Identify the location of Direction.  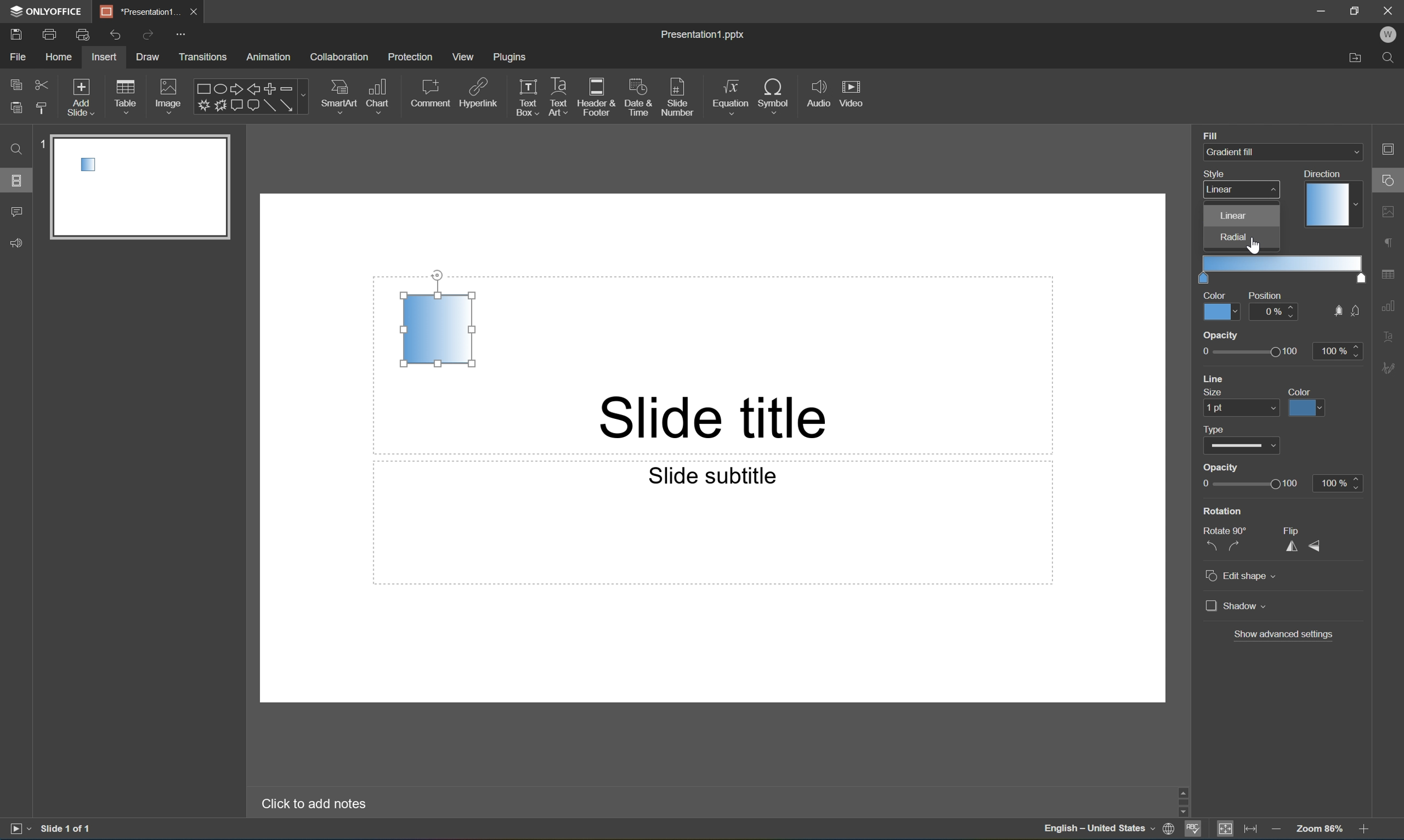
(1332, 199).